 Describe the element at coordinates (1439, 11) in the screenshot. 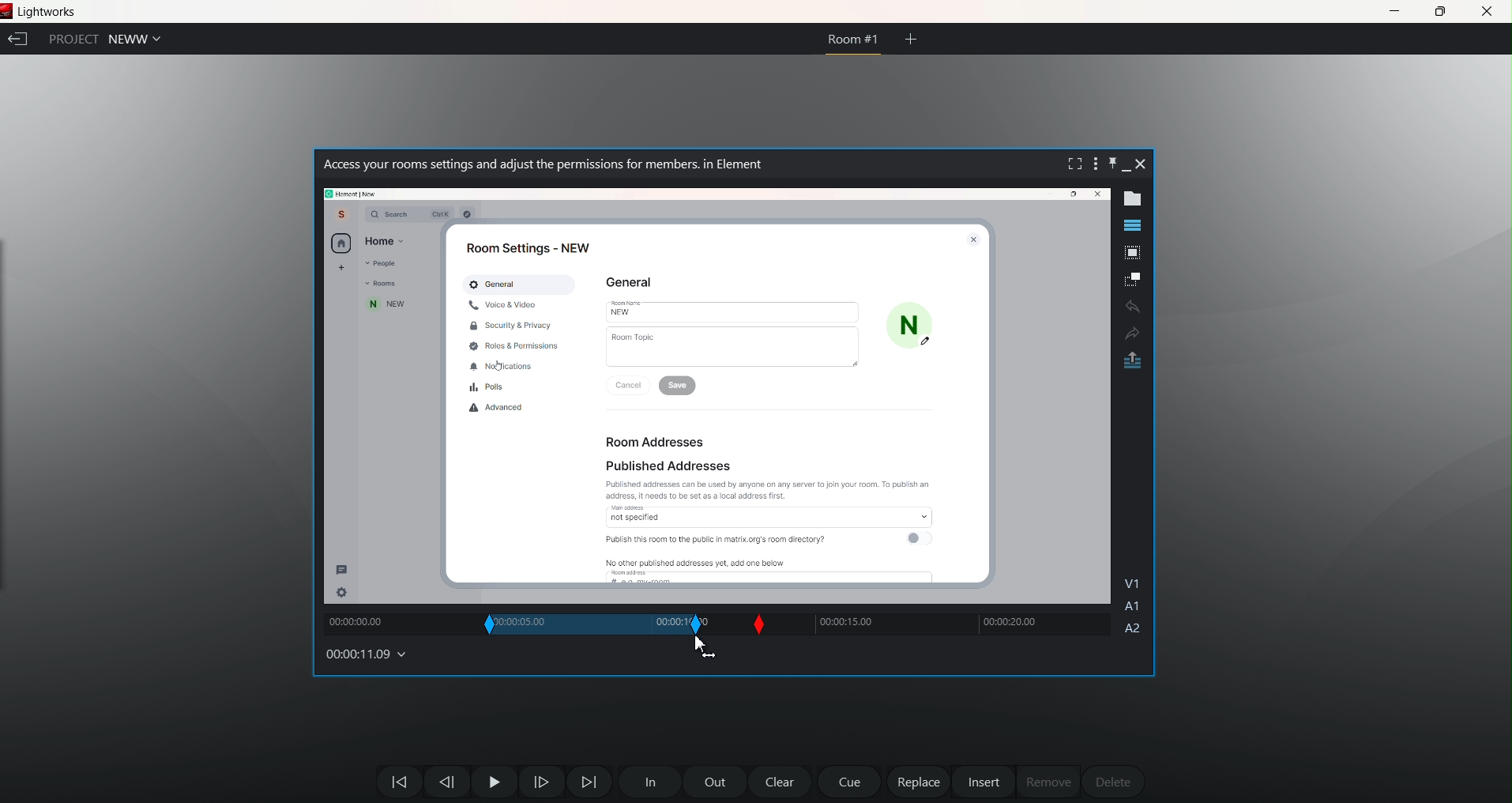

I see `maximize` at that location.